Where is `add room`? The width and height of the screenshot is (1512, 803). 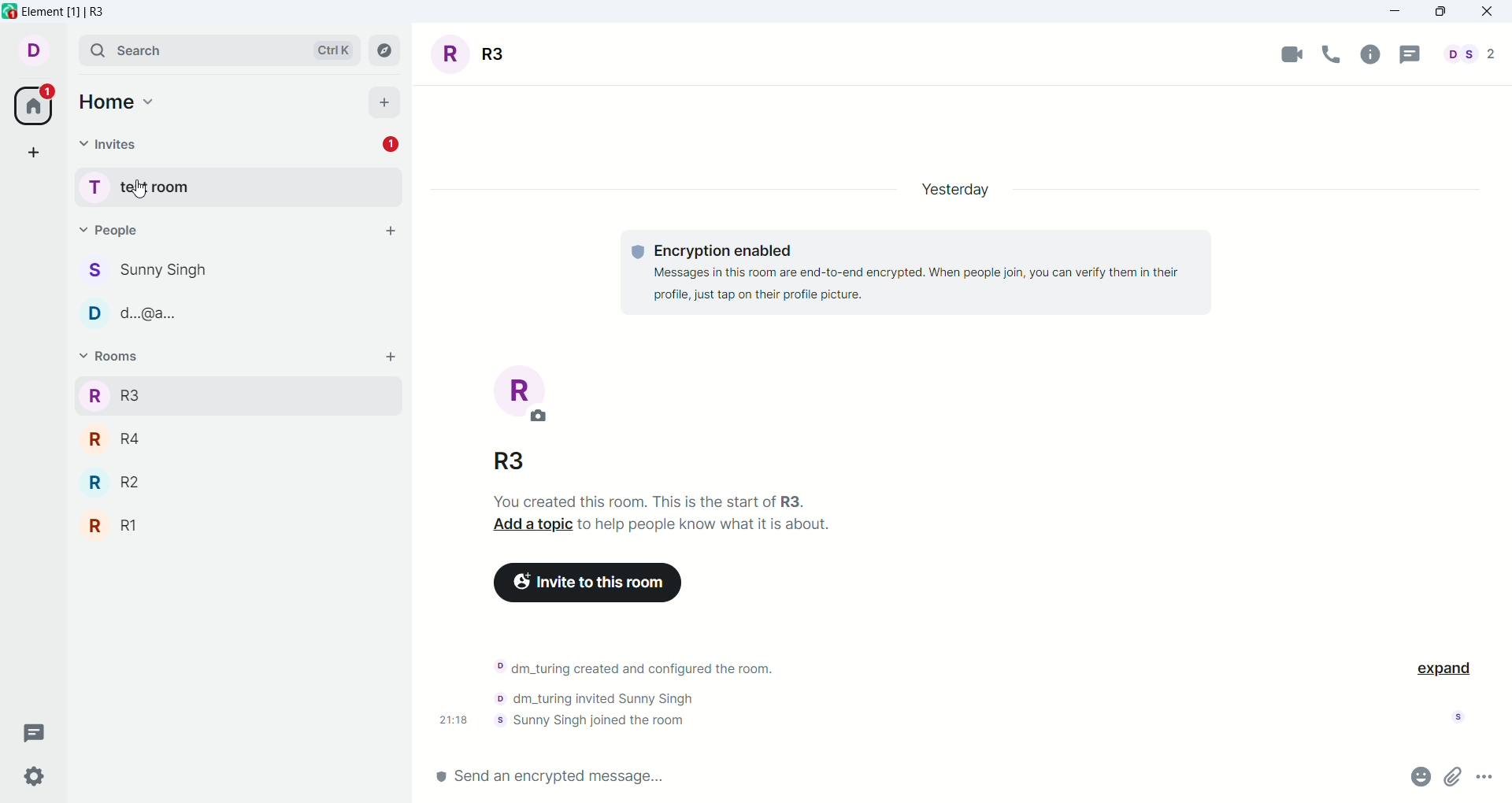 add room is located at coordinates (391, 356).